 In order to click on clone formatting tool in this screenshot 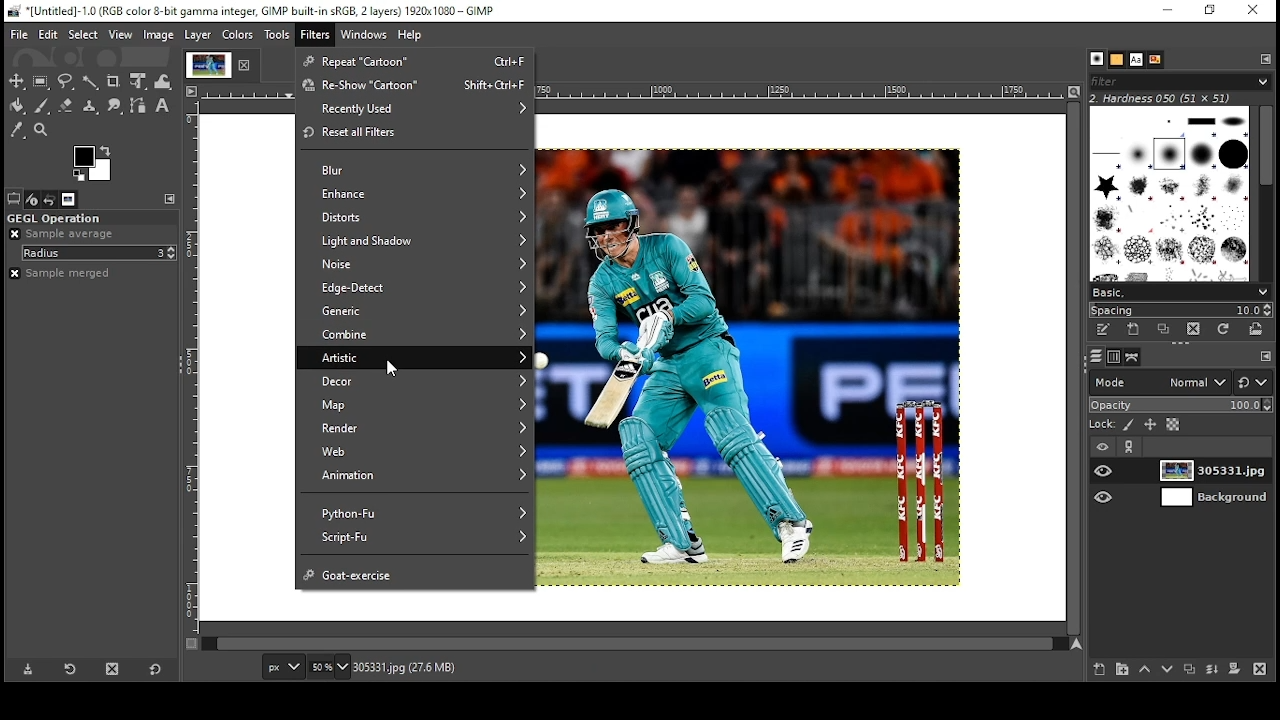, I will do `click(90, 106)`.